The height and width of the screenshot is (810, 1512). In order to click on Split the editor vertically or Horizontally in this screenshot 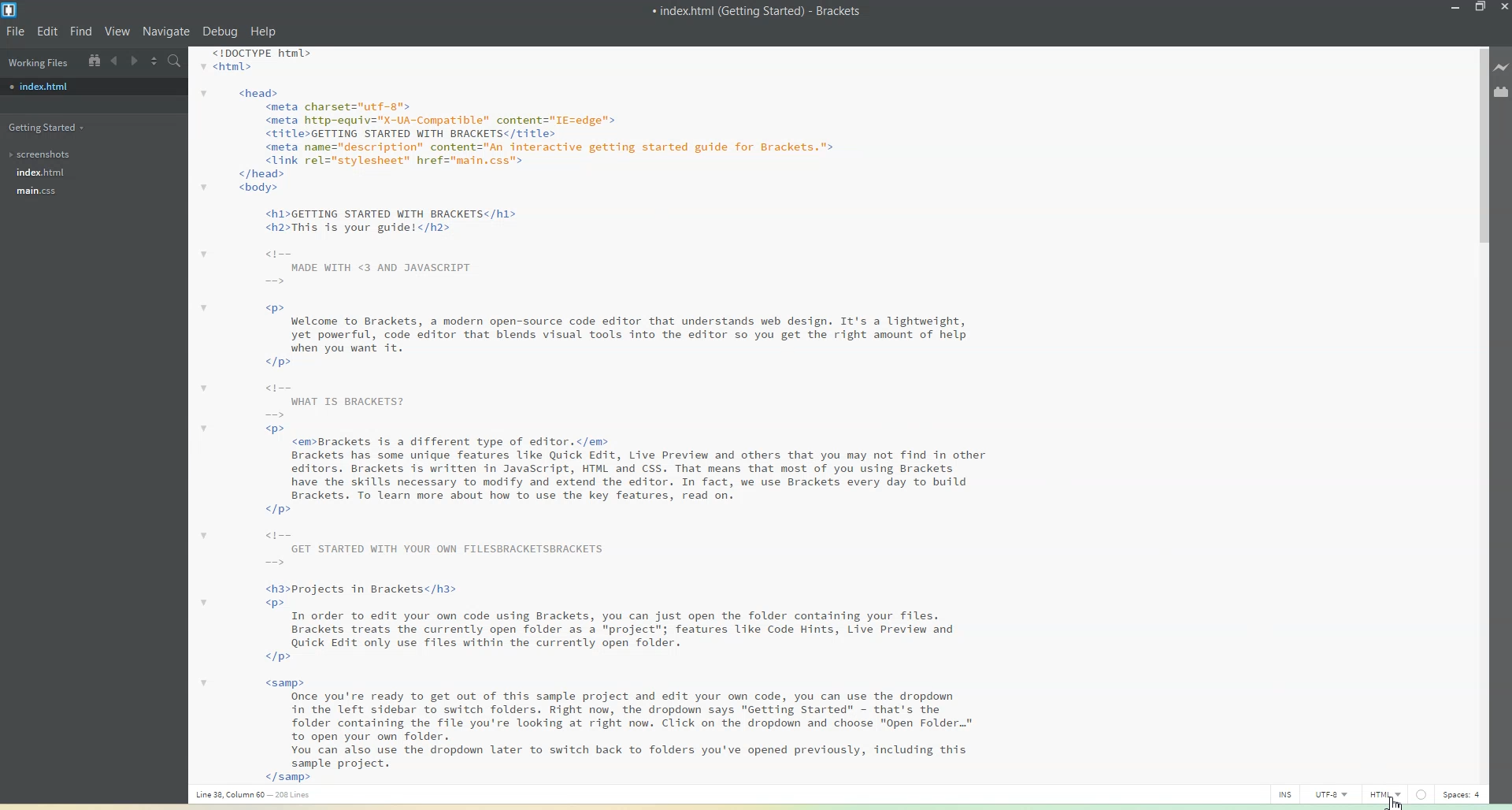, I will do `click(154, 60)`.